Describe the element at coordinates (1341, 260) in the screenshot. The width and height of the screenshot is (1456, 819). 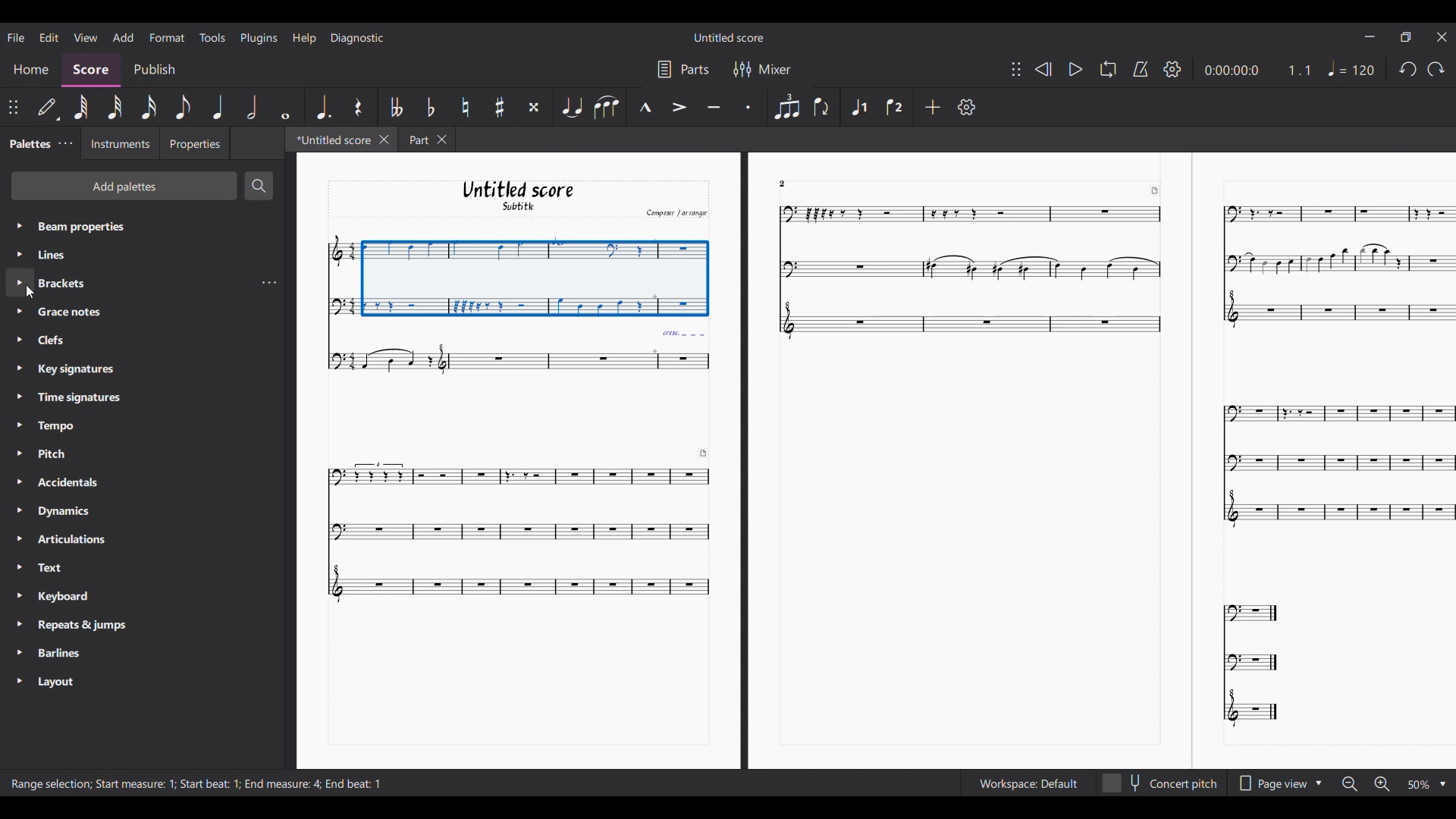
I see `` at that location.